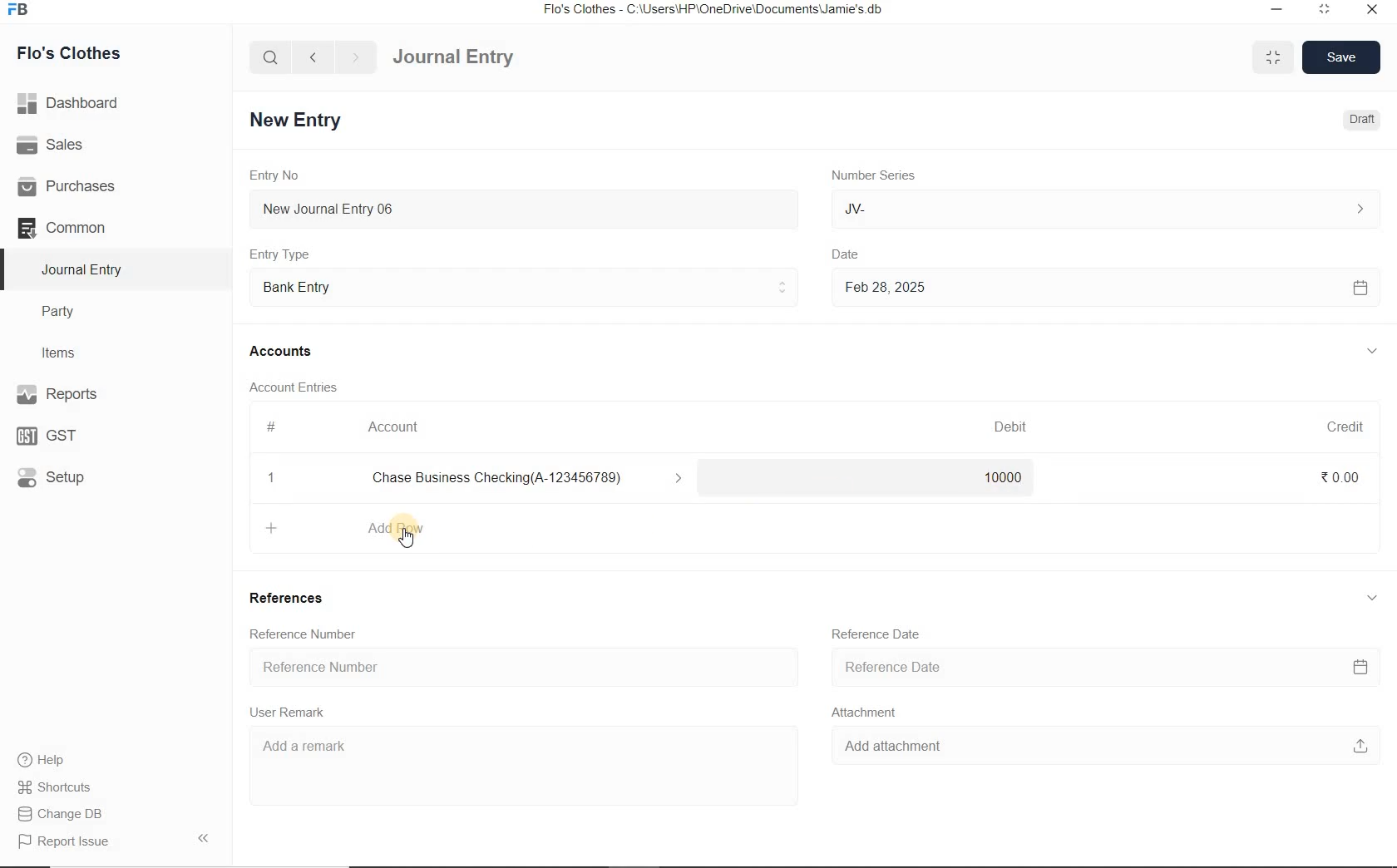  What do you see at coordinates (67, 351) in the screenshot?
I see `Items` at bounding box center [67, 351].